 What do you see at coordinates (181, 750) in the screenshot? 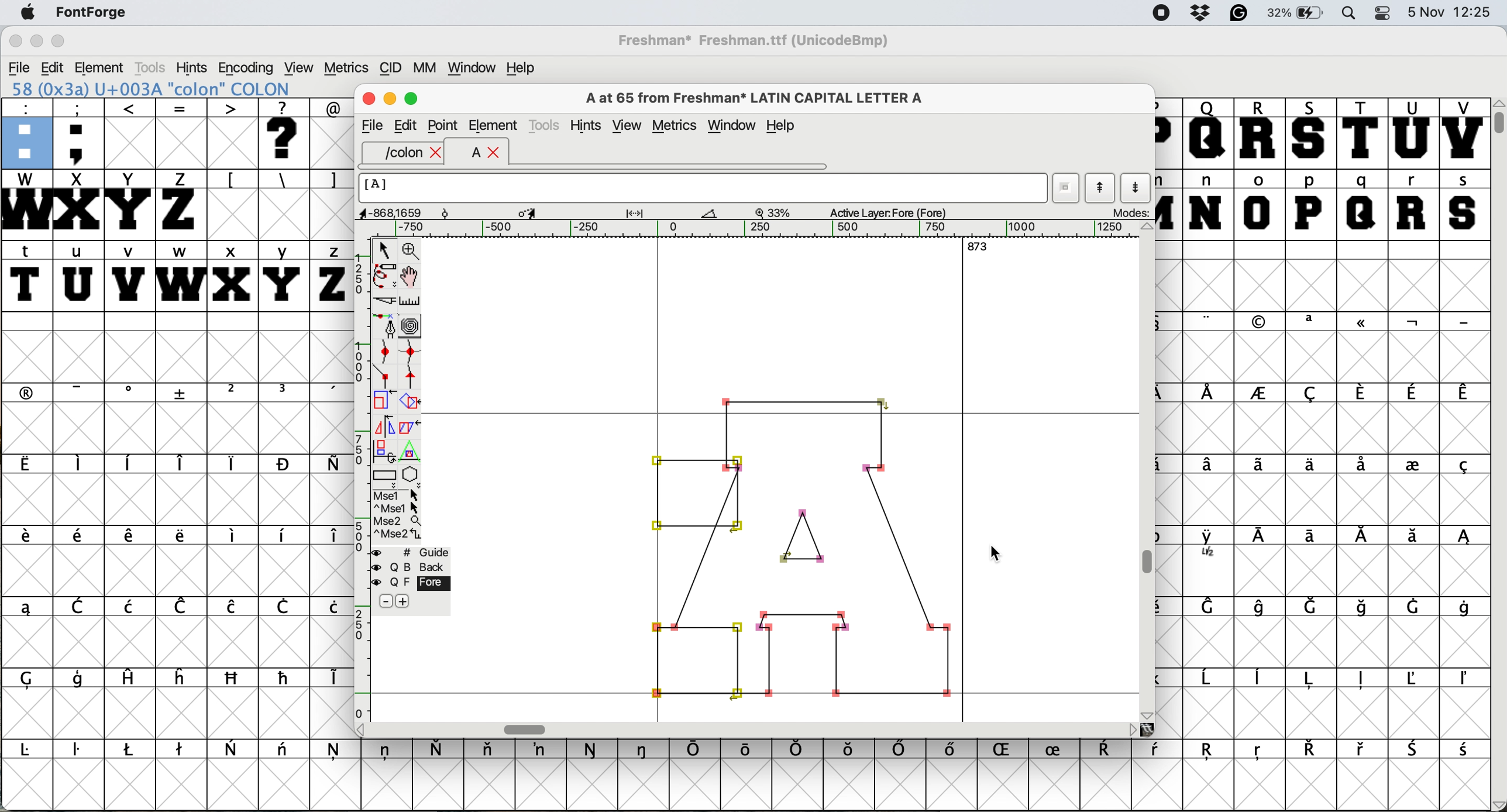
I see `symbol` at bounding box center [181, 750].